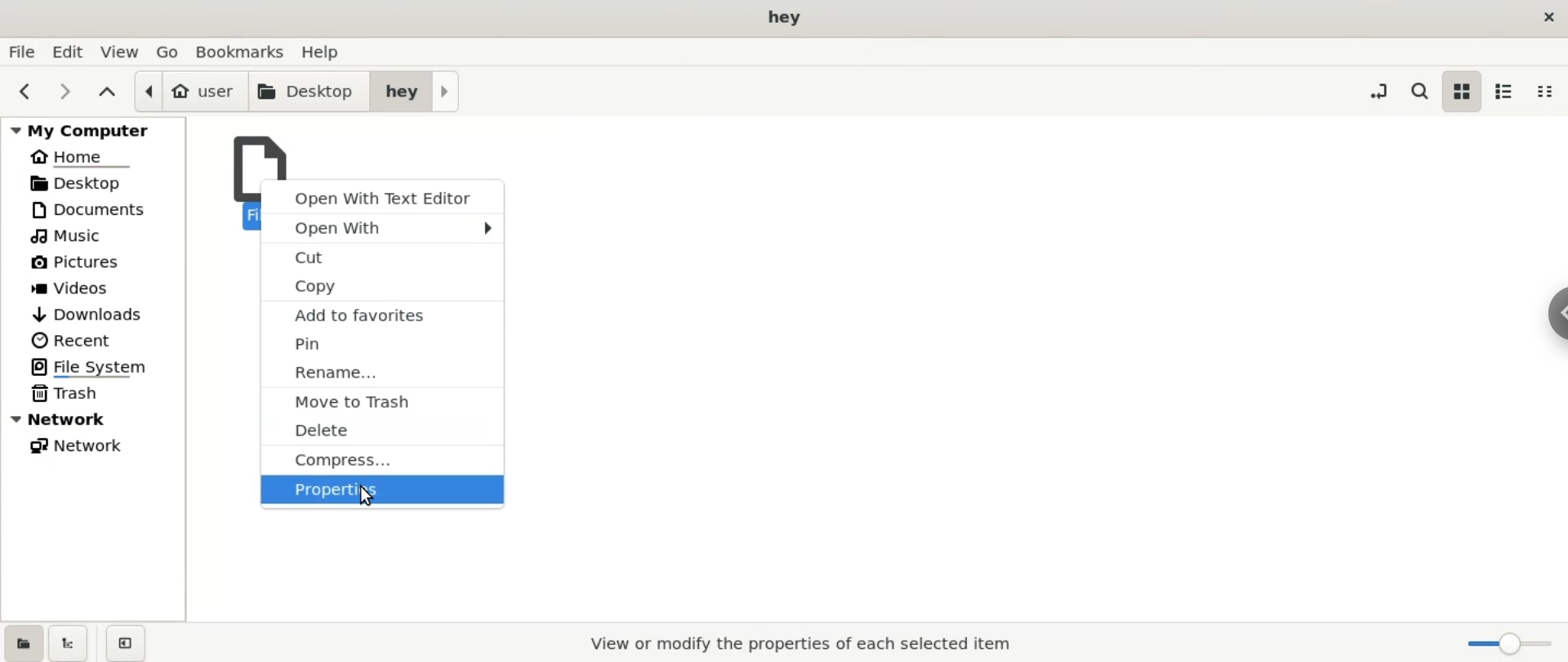 The height and width of the screenshot is (662, 1568). What do you see at coordinates (1551, 92) in the screenshot?
I see `compact view` at bounding box center [1551, 92].